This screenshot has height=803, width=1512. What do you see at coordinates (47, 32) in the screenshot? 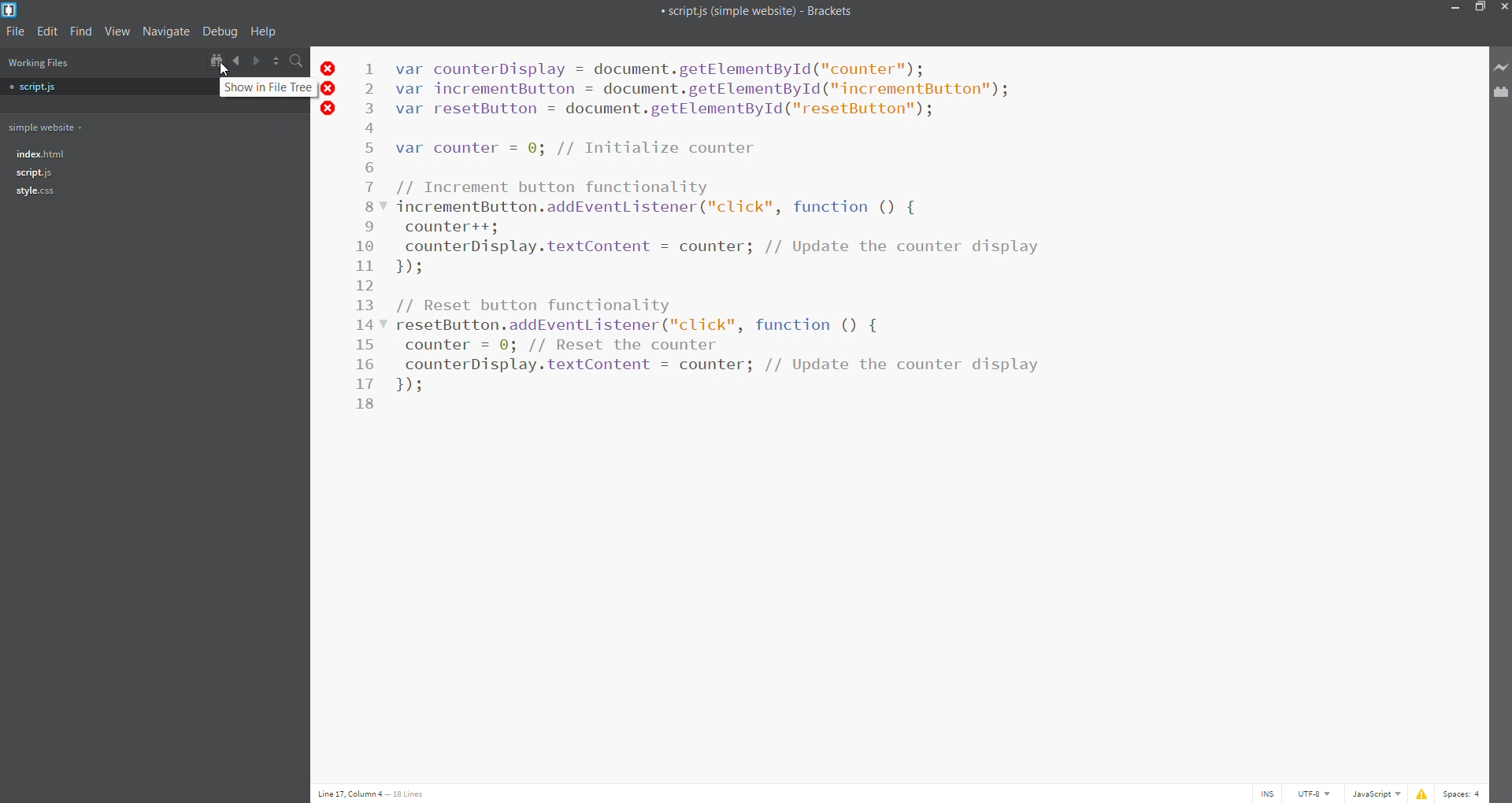
I see `edit` at bounding box center [47, 32].